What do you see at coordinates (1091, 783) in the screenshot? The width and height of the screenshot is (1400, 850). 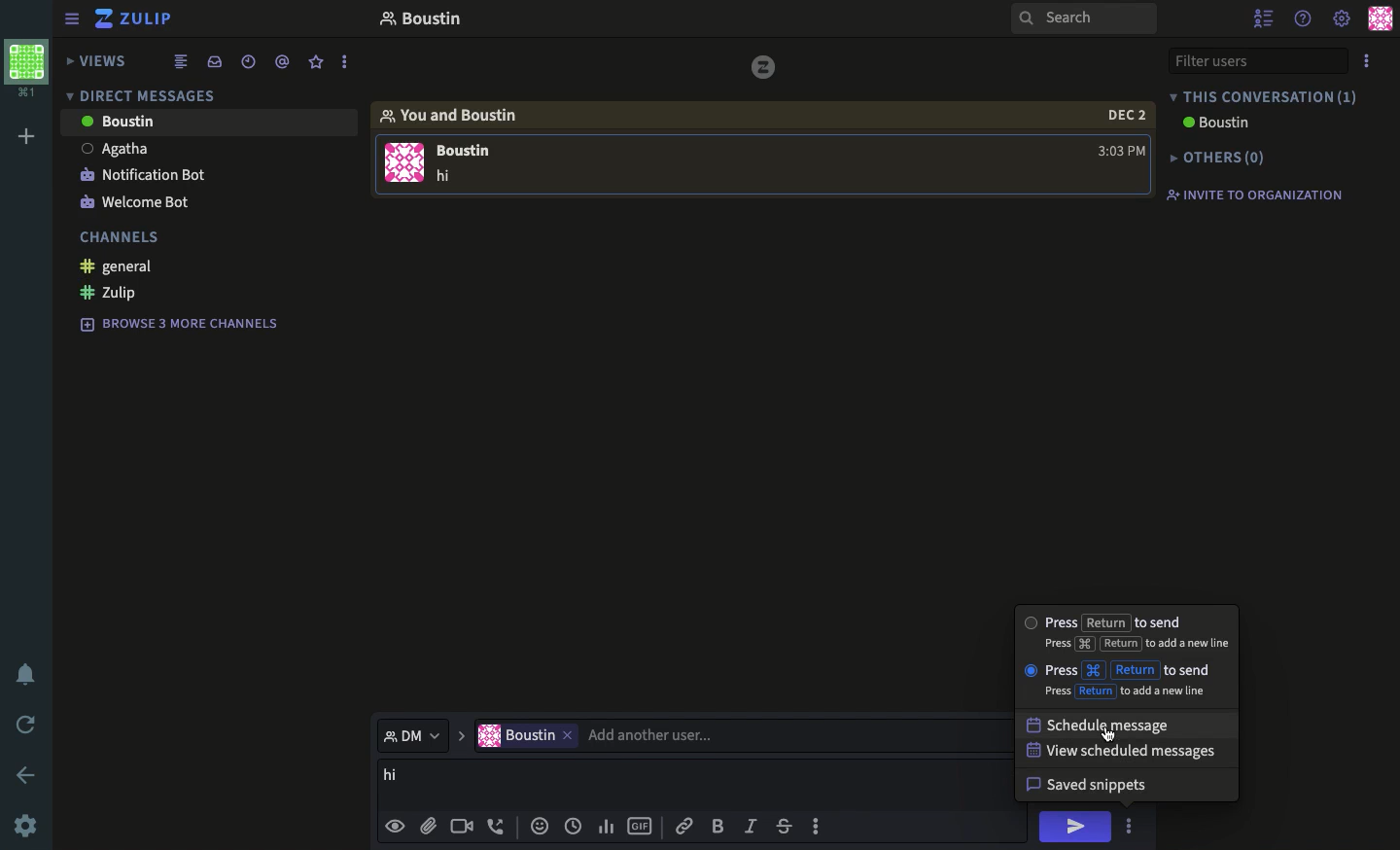 I see `saved snippets` at bounding box center [1091, 783].